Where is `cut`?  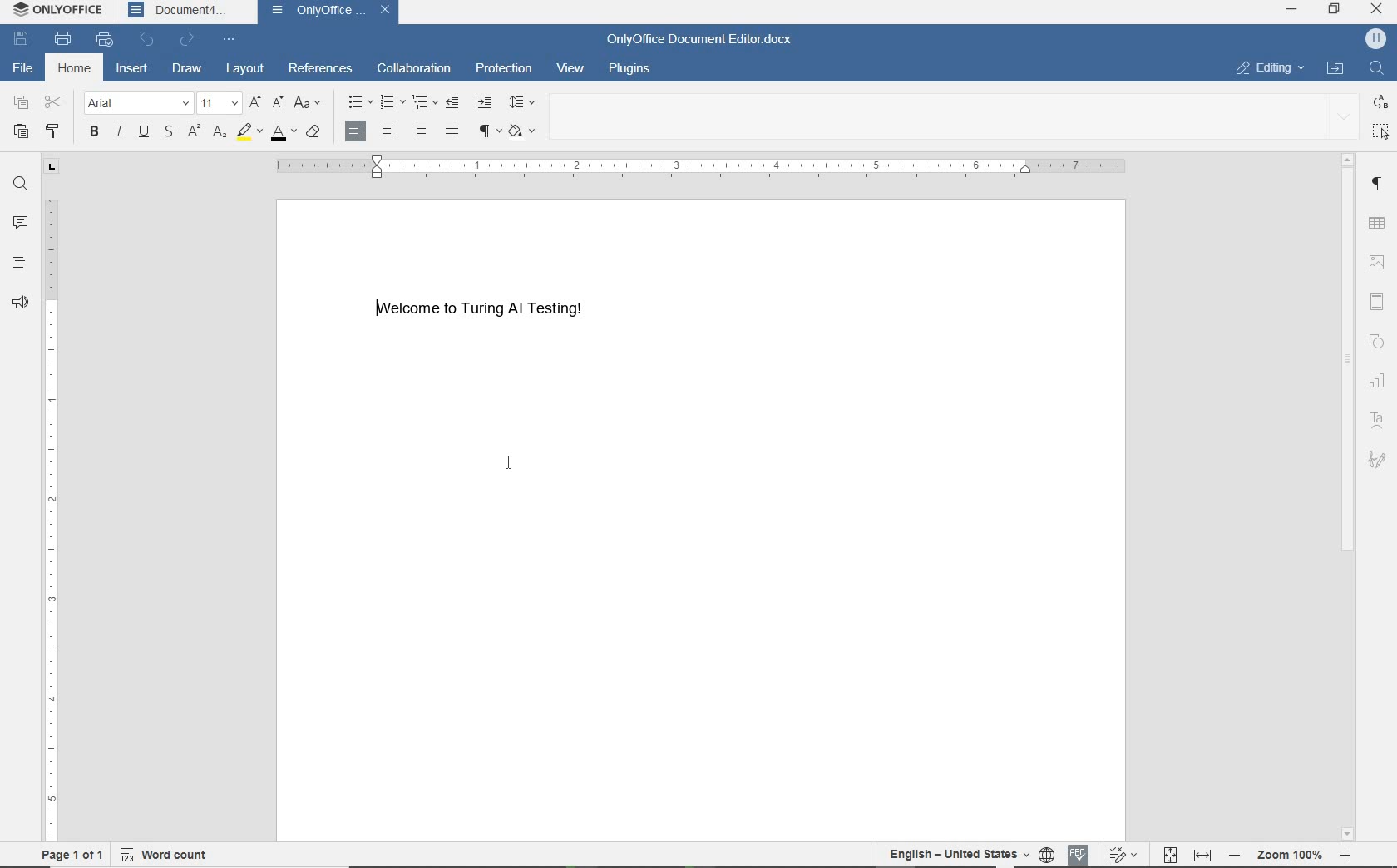
cut is located at coordinates (52, 103).